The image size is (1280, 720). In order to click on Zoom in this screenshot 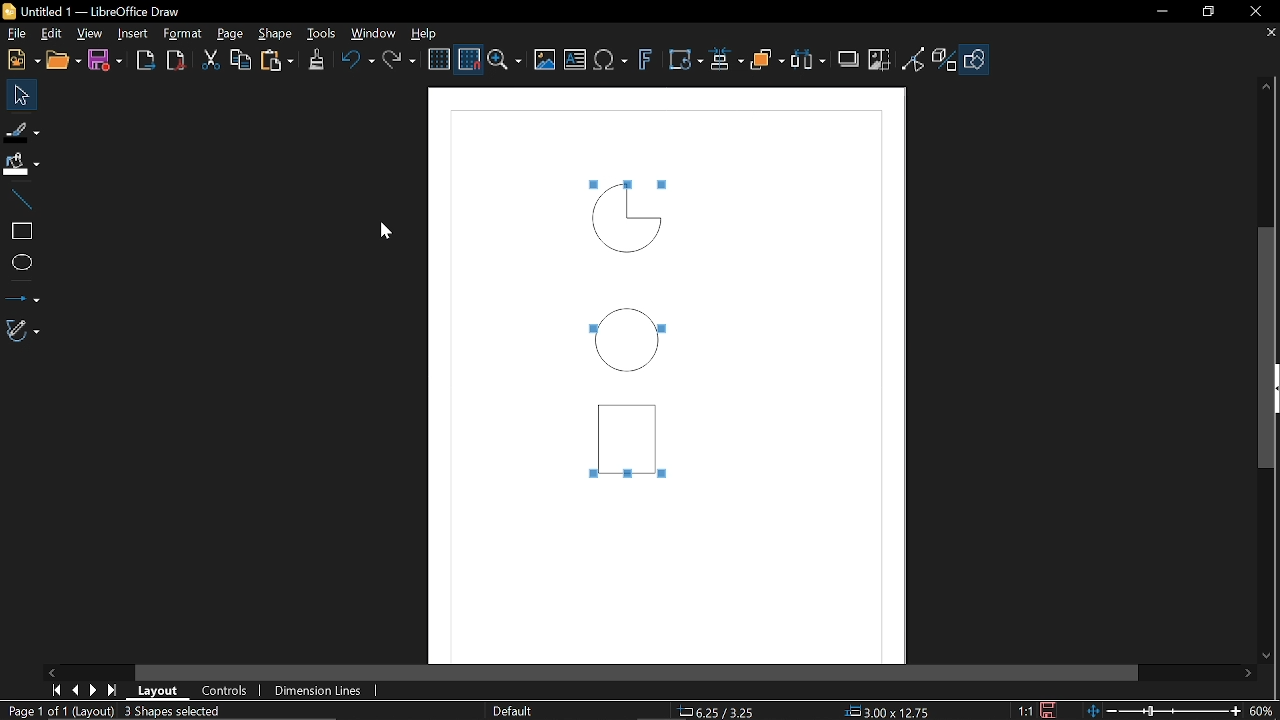, I will do `click(1262, 711)`.